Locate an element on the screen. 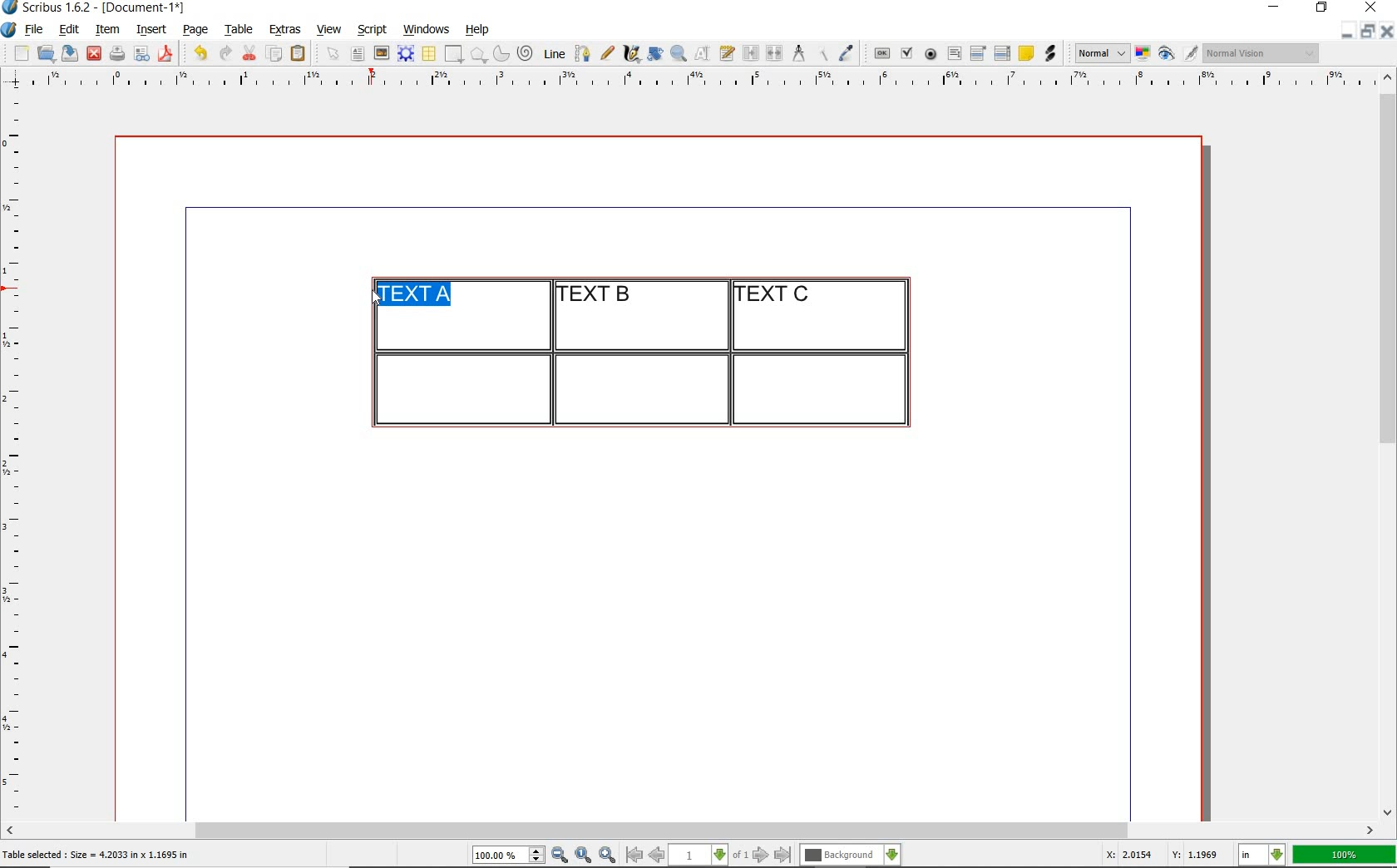 This screenshot has width=1397, height=868. text highlighted is located at coordinates (412, 293).